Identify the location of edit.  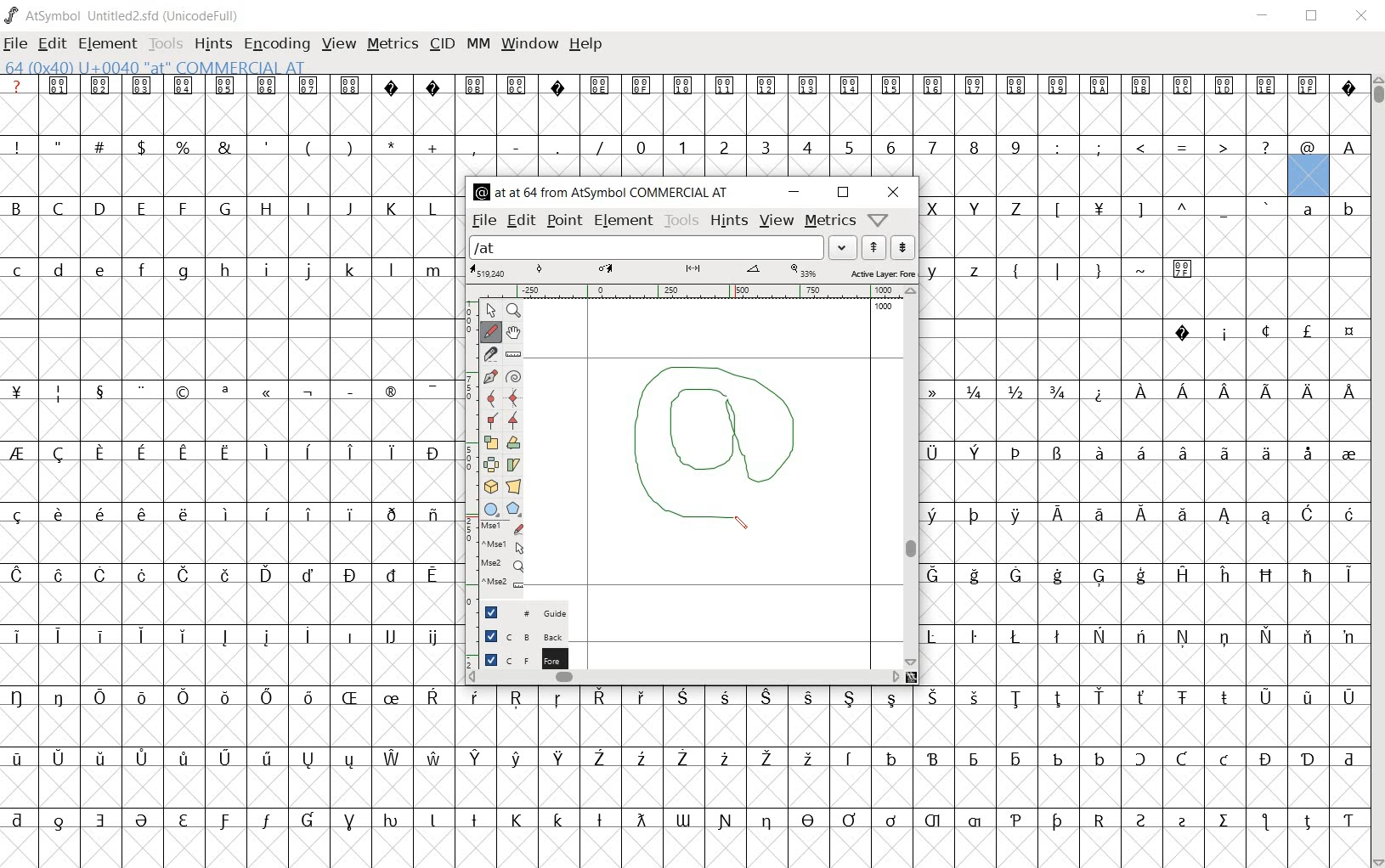
(520, 222).